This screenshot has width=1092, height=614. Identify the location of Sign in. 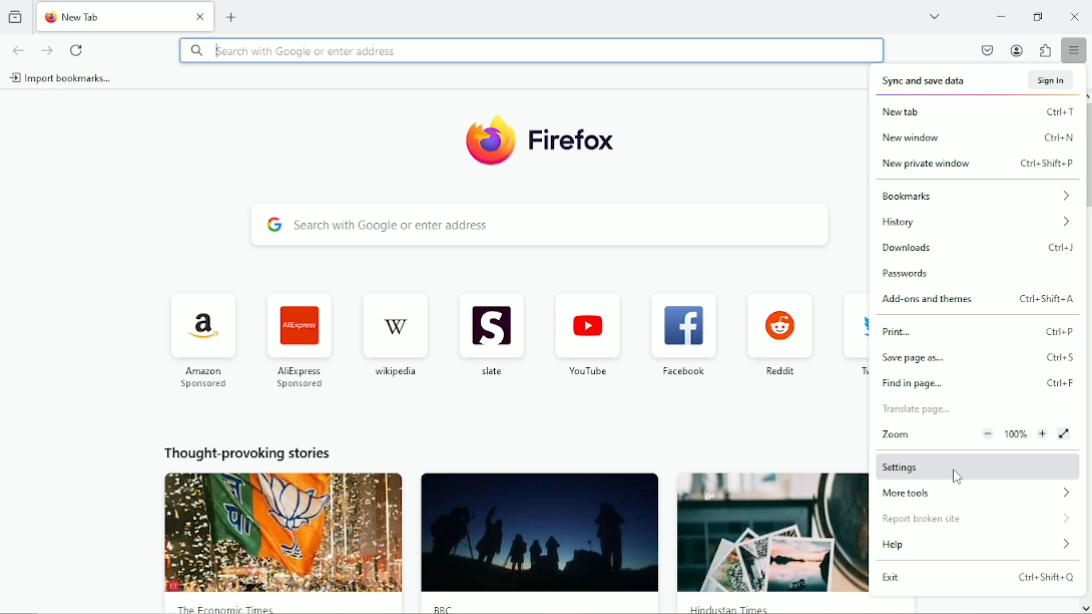
(1053, 80).